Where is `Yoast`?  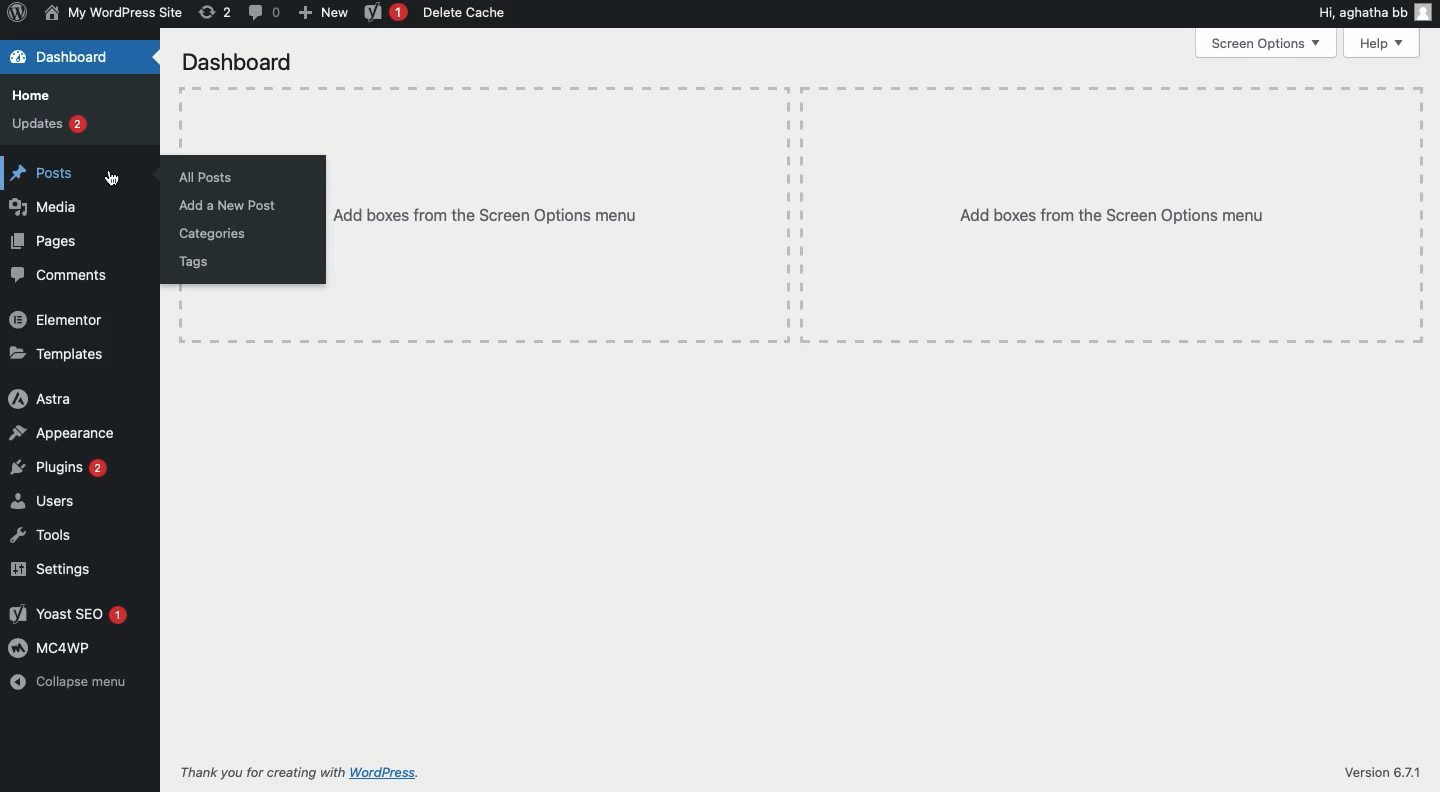
Yoast is located at coordinates (66, 615).